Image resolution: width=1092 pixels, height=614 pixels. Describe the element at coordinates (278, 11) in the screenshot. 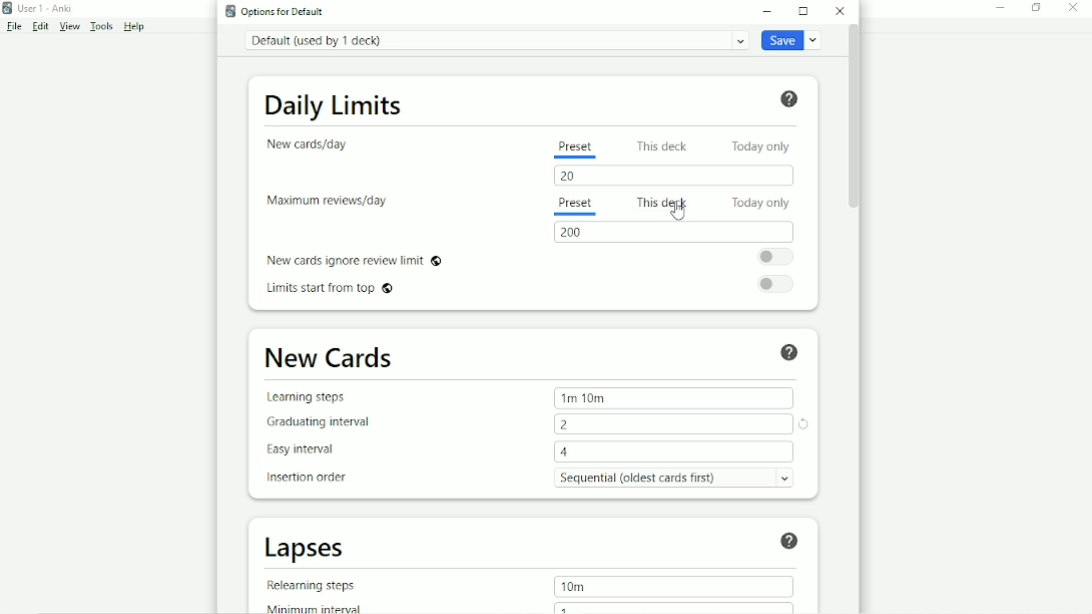

I see `Options for Default` at that location.